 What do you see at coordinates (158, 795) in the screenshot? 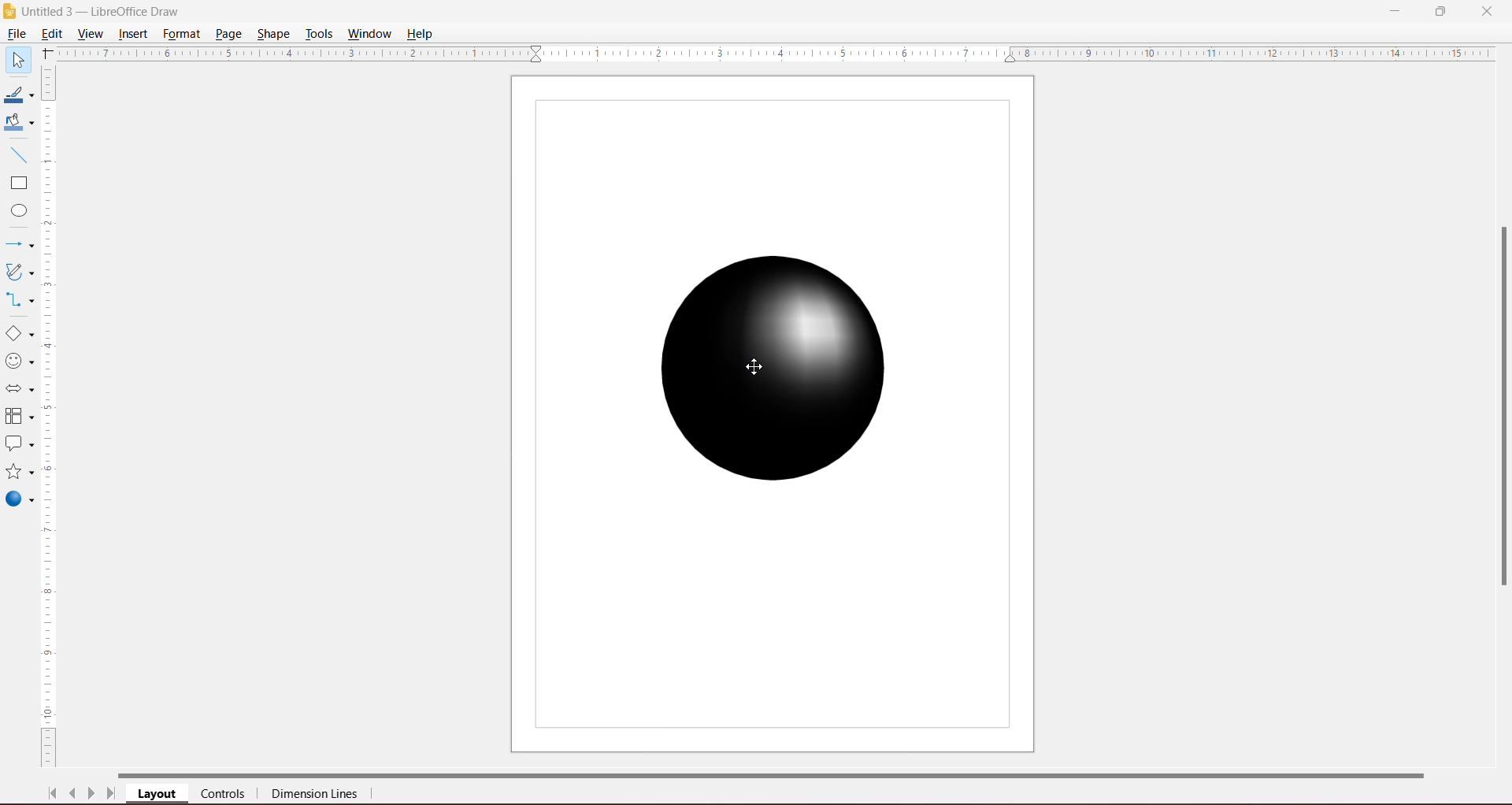
I see `Layout` at bounding box center [158, 795].